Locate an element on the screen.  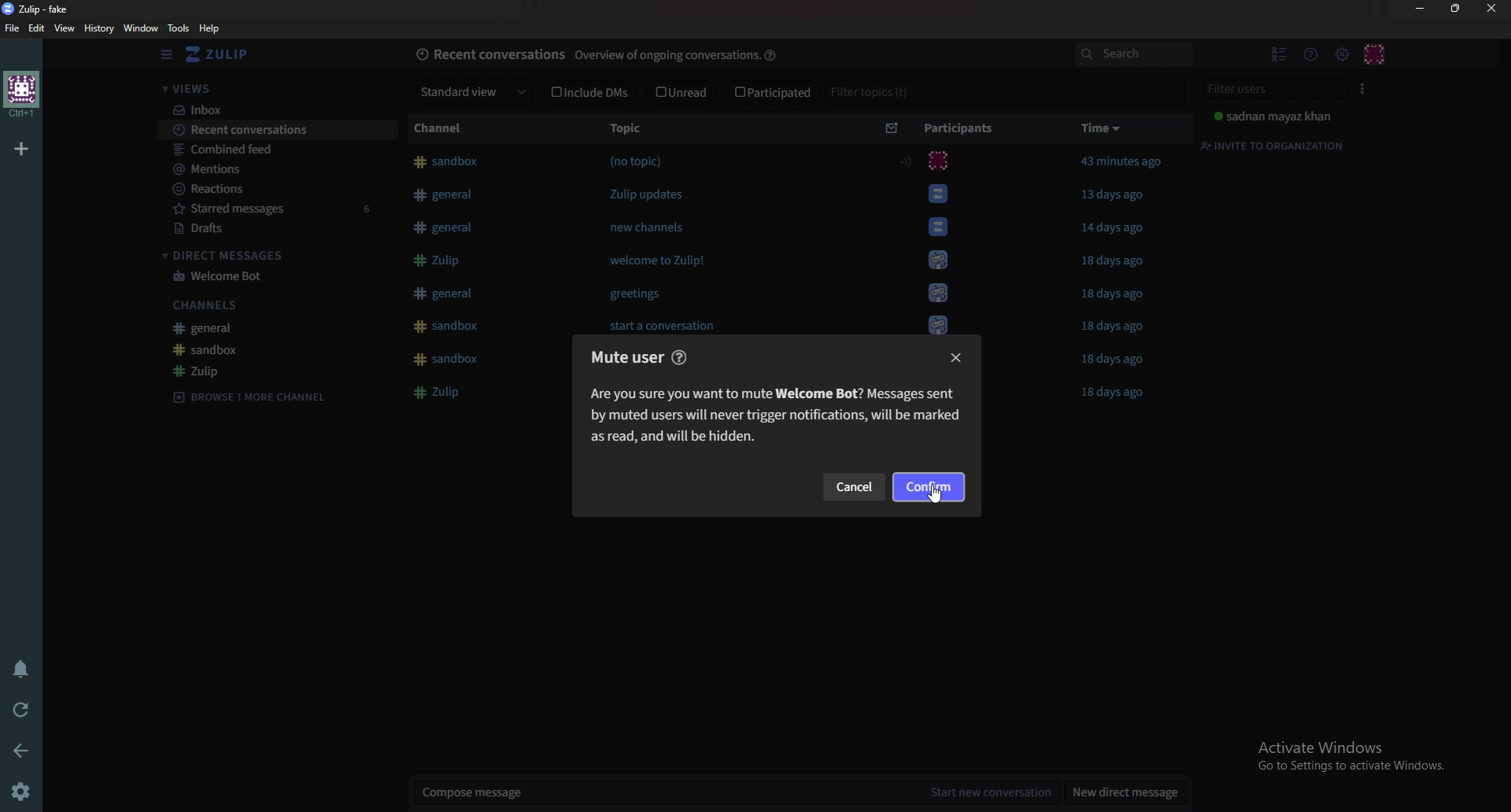
Recent conversations is located at coordinates (275, 132).